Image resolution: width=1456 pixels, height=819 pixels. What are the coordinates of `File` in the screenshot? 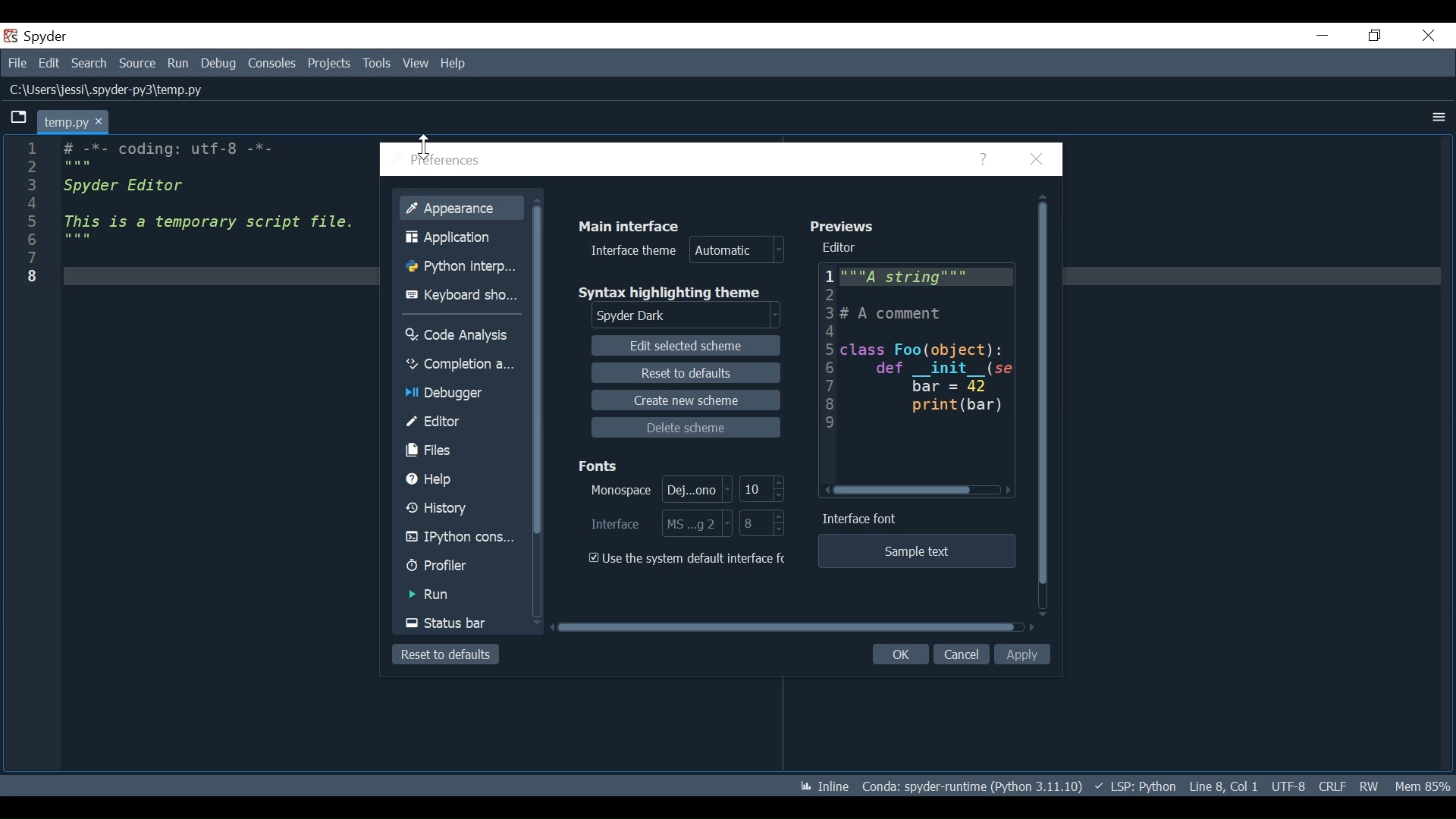 It's located at (19, 64).